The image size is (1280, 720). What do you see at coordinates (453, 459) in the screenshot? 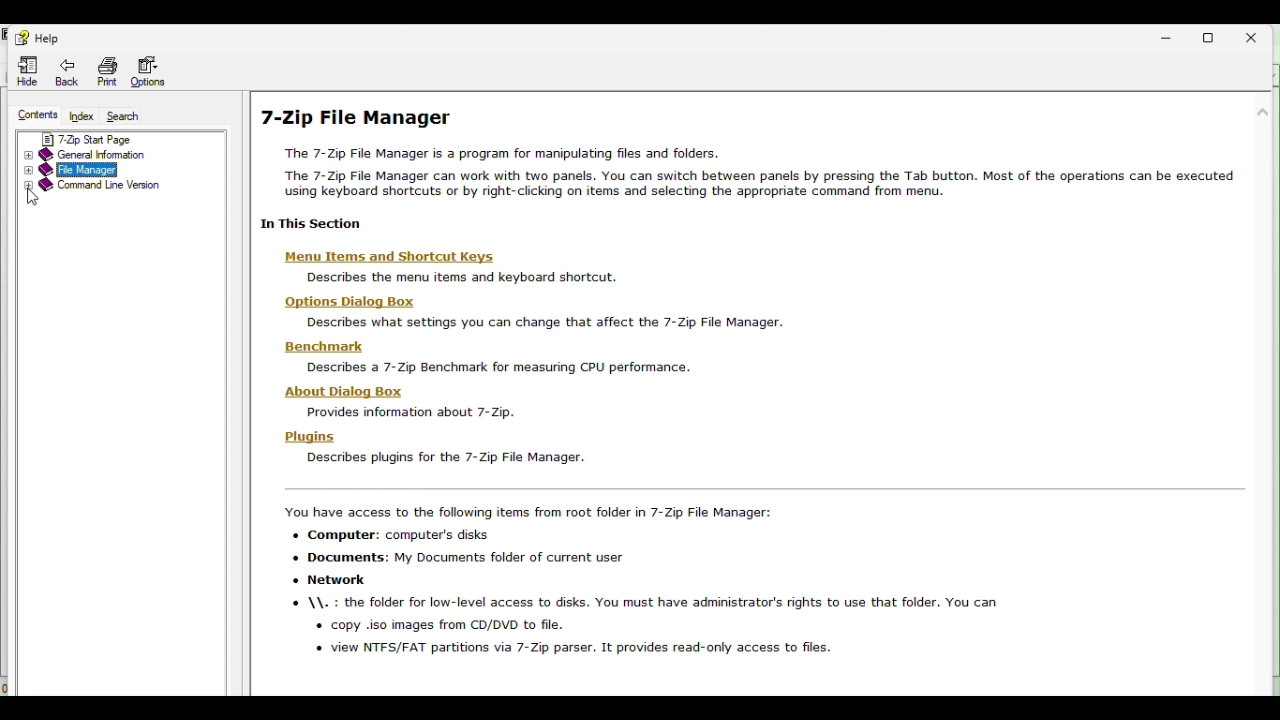
I see `I 1 Describes plugins for the 7-Zip File Manager.` at bounding box center [453, 459].